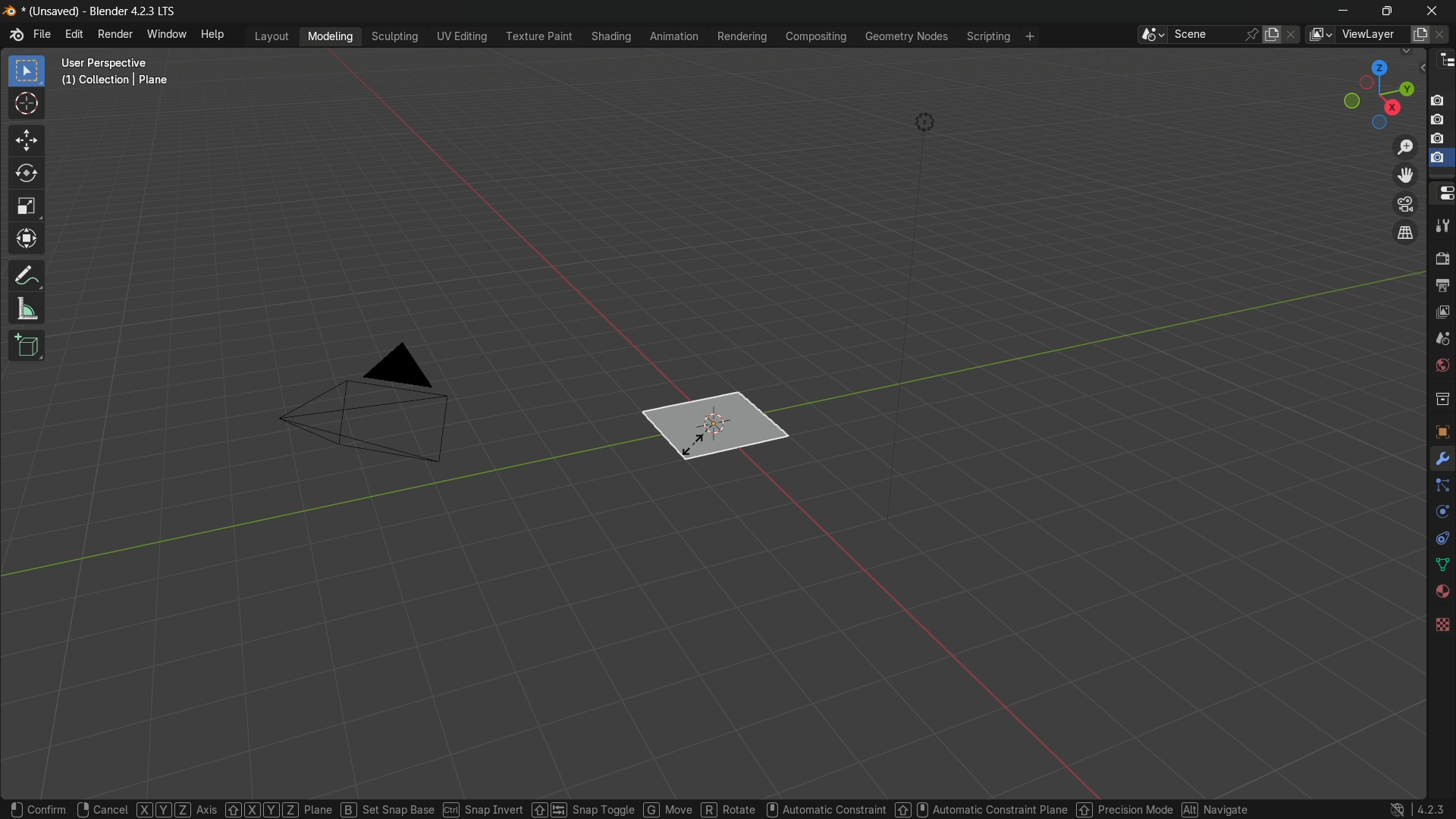 This screenshot has height=819, width=1456. What do you see at coordinates (981, 802) in the screenshot?
I see `Automatic constraint plane` at bounding box center [981, 802].